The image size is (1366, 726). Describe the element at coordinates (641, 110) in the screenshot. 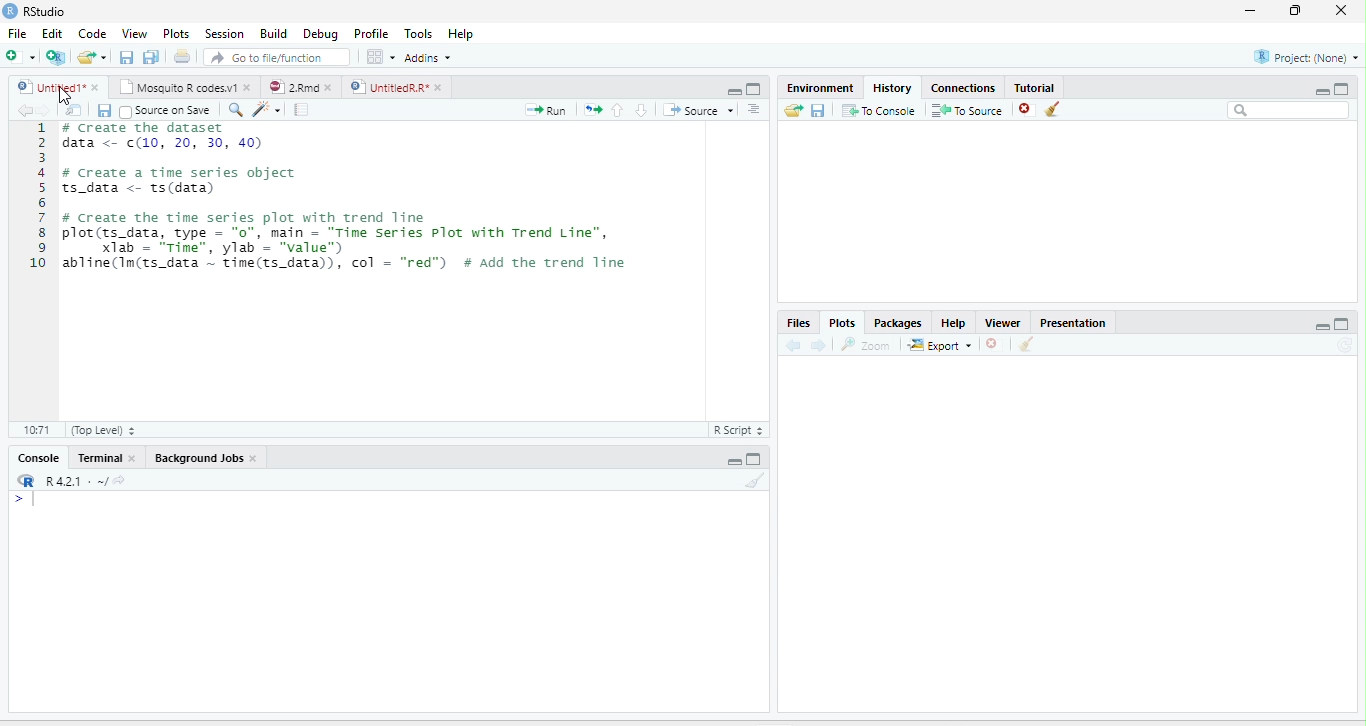

I see `Go to next section/chunk` at that location.